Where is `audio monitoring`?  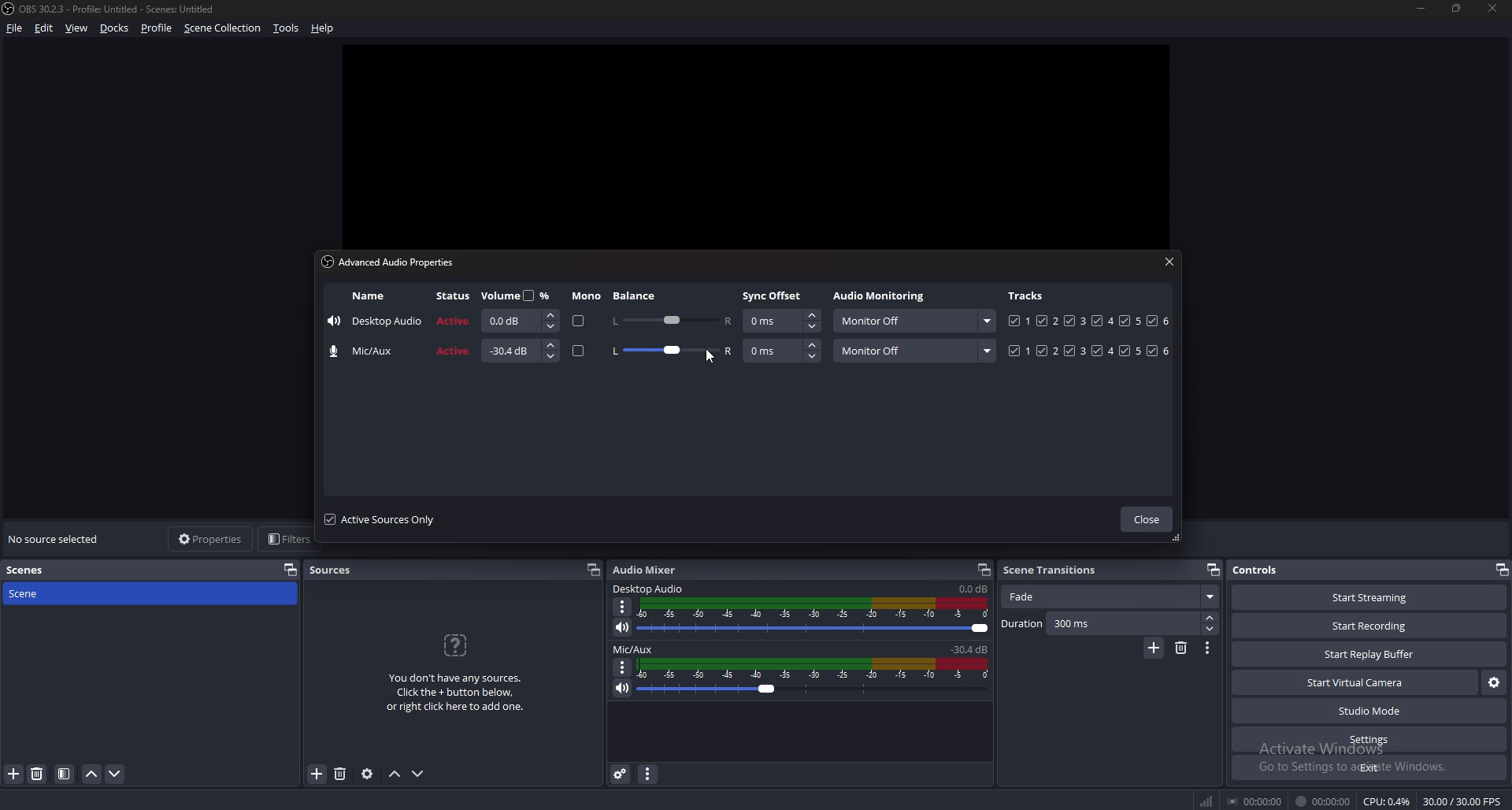 audio monitoring is located at coordinates (882, 296).